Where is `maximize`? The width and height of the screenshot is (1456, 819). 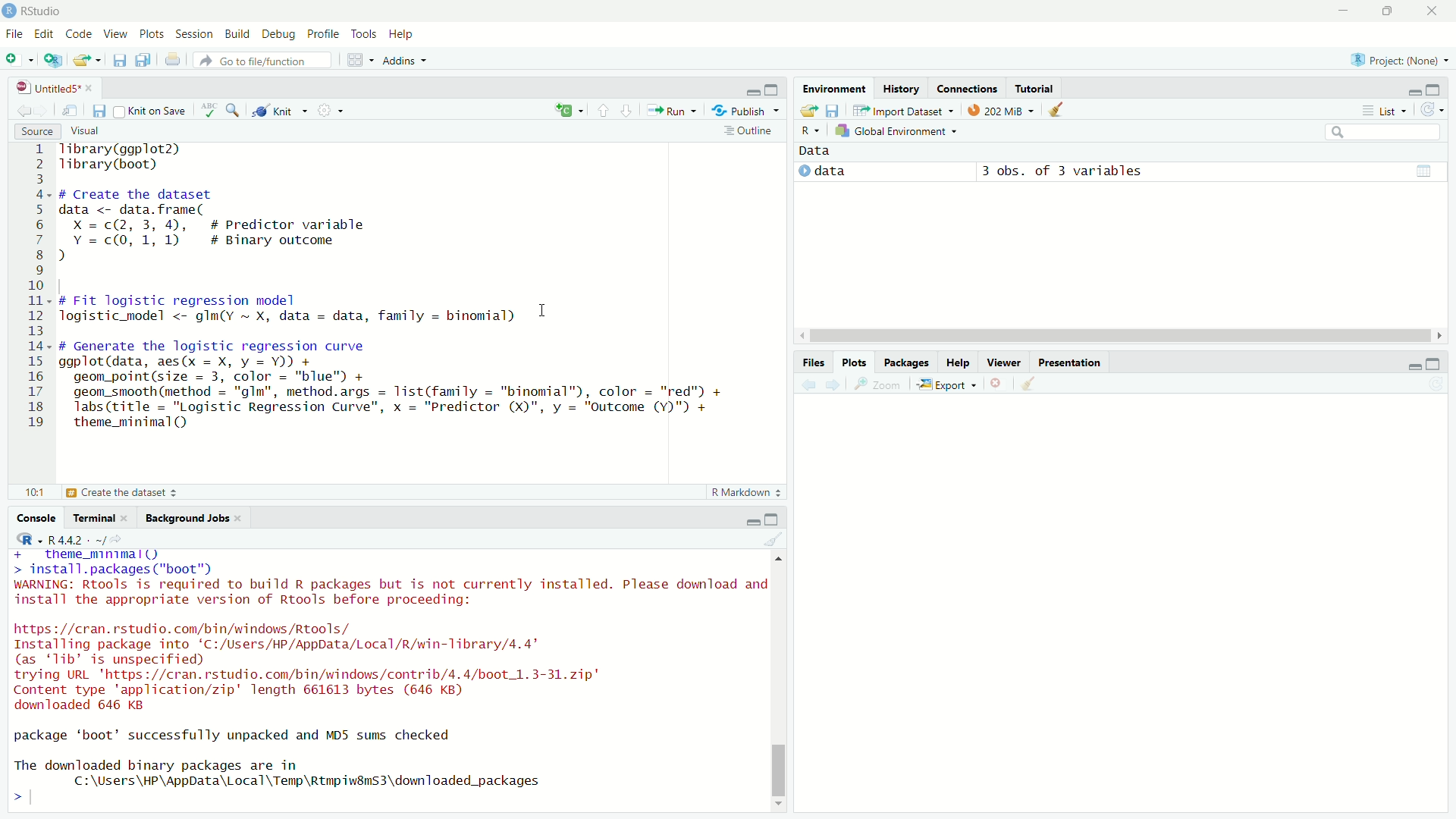
maximize is located at coordinates (771, 519).